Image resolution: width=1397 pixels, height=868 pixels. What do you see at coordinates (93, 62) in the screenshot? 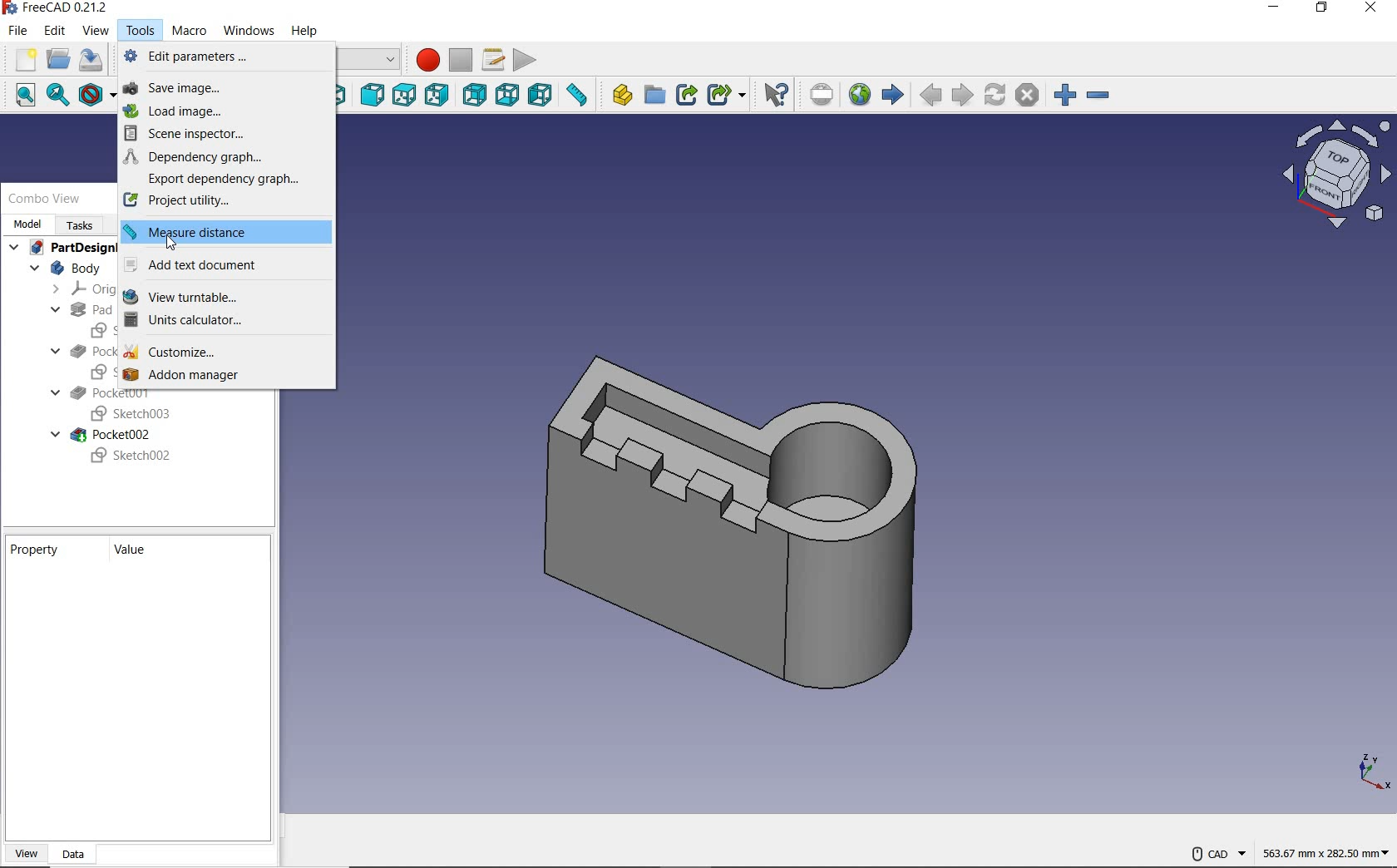
I see `save` at bounding box center [93, 62].